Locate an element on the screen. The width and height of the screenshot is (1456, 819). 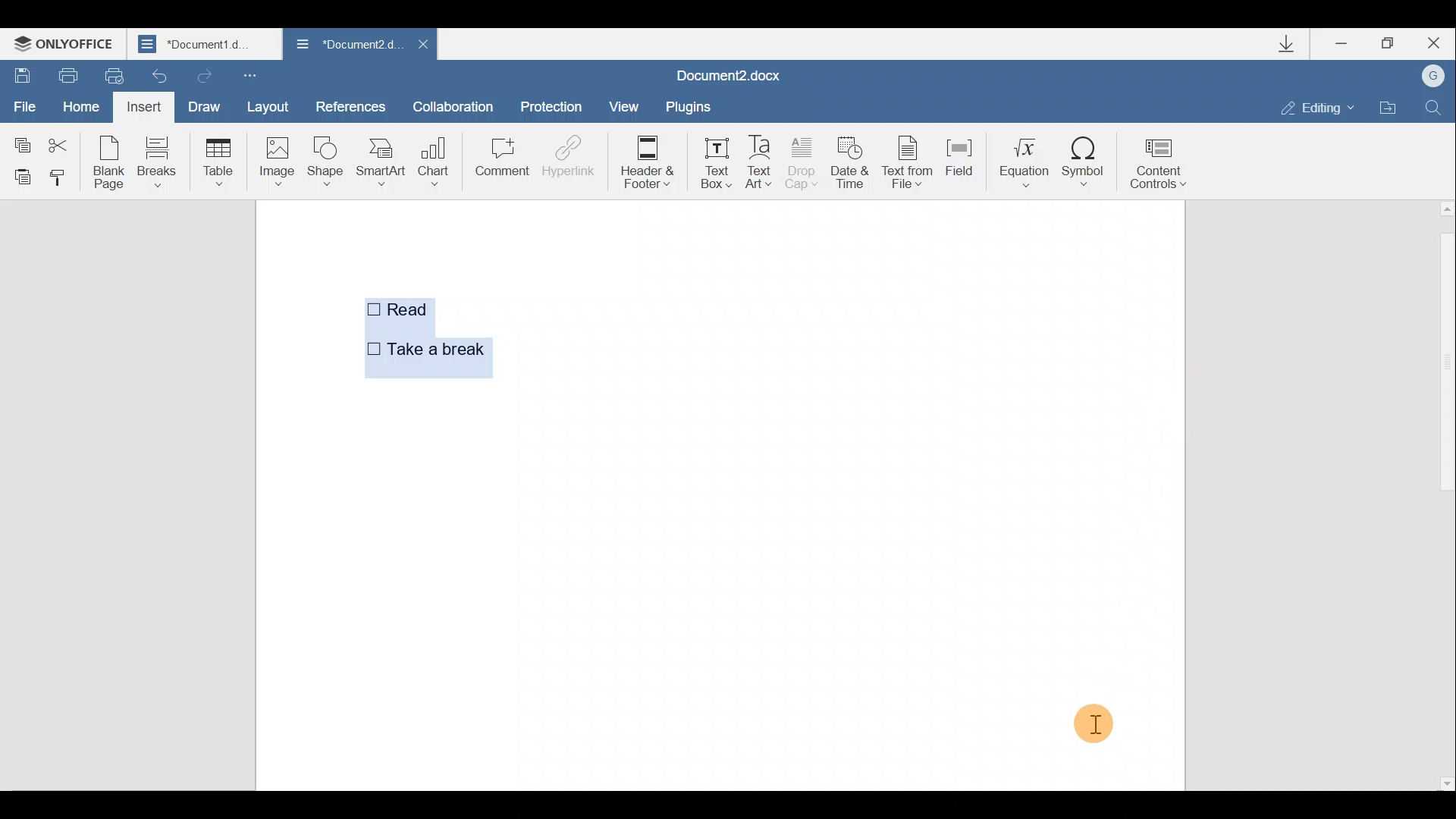
Chart is located at coordinates (437, 155).